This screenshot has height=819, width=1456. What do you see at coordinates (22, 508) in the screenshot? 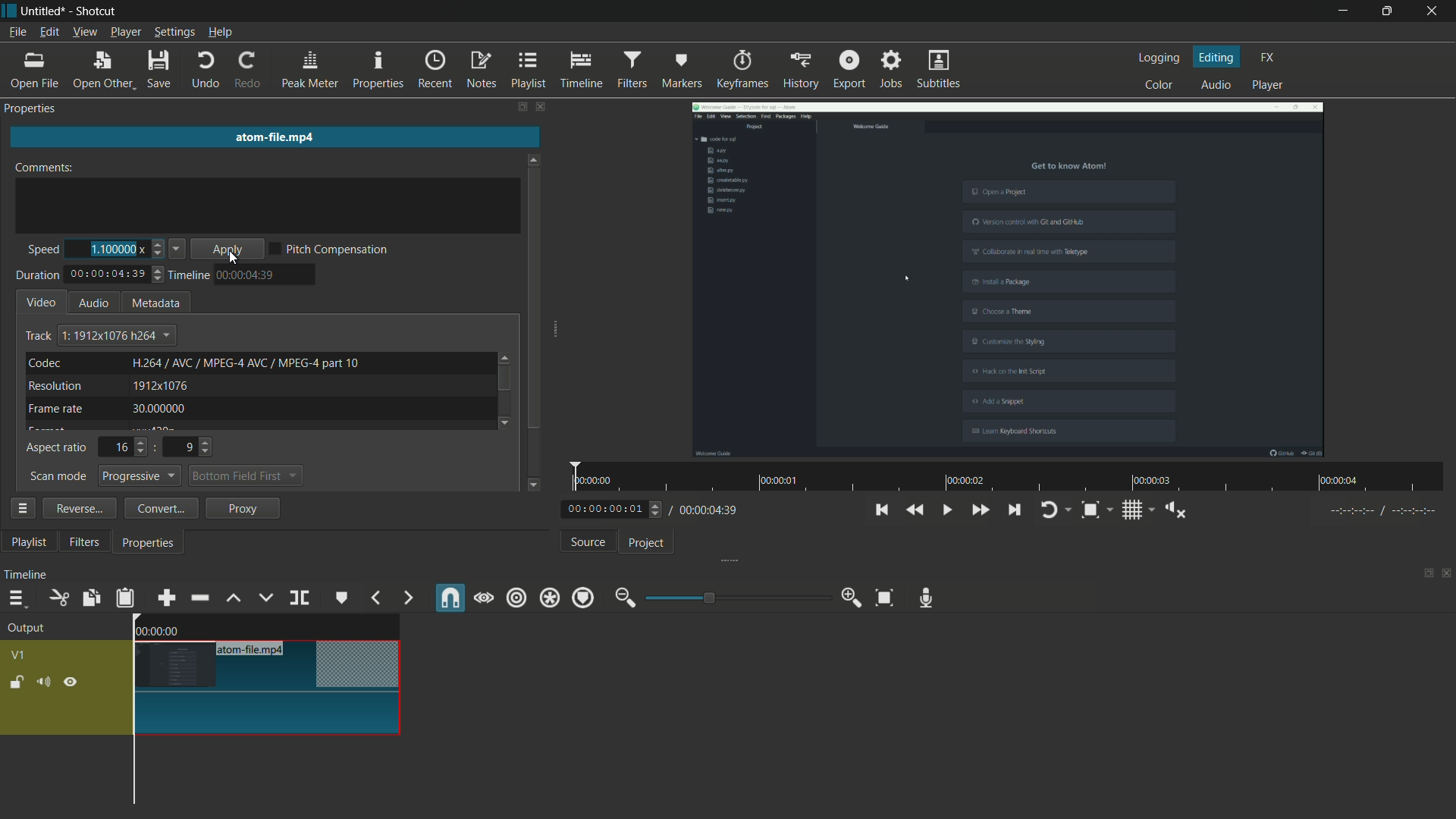
I see `more` at bounding box center [22, 508].